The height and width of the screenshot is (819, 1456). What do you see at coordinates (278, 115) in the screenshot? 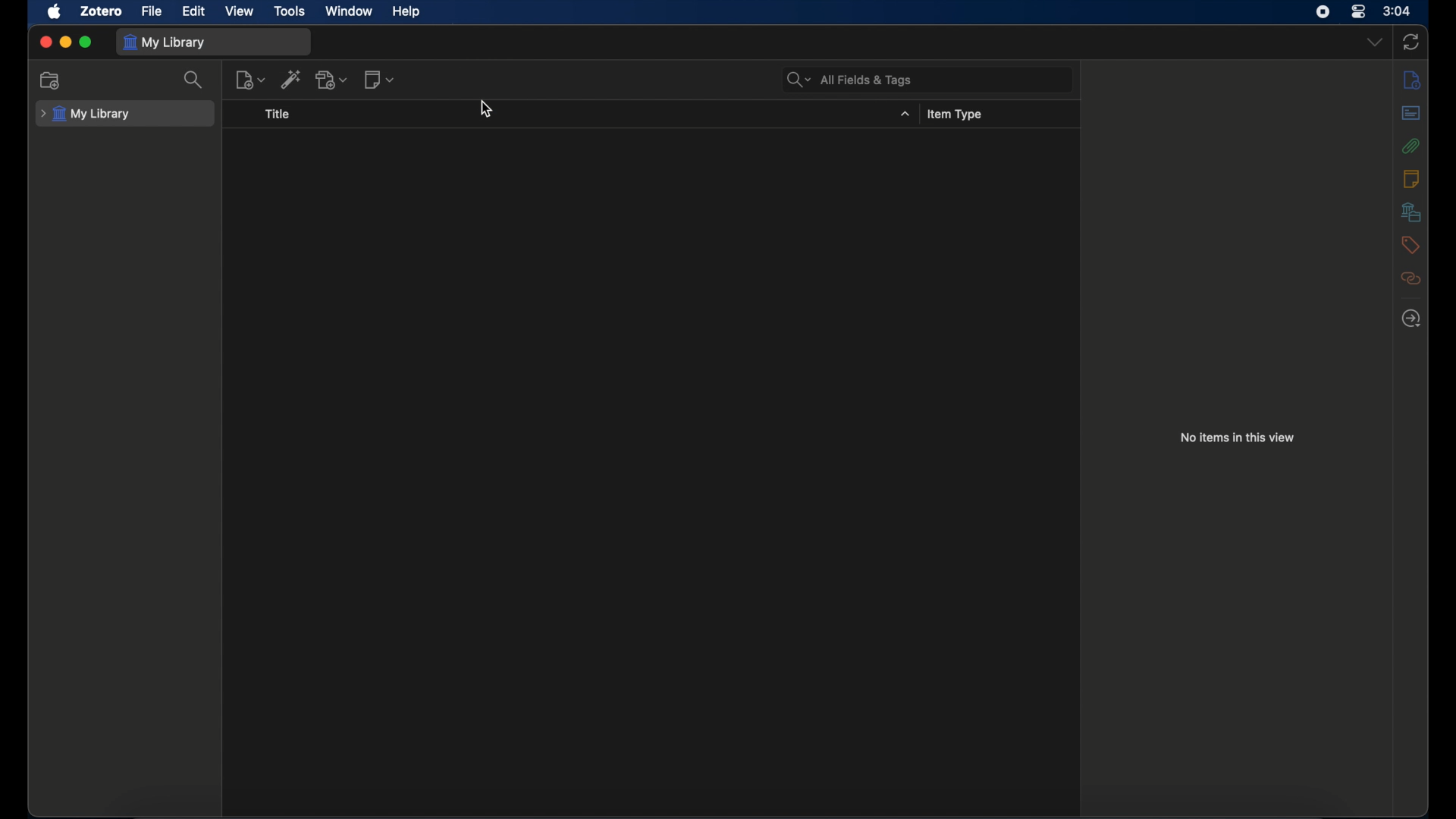
I see `title` at bounding box center [278, 115].